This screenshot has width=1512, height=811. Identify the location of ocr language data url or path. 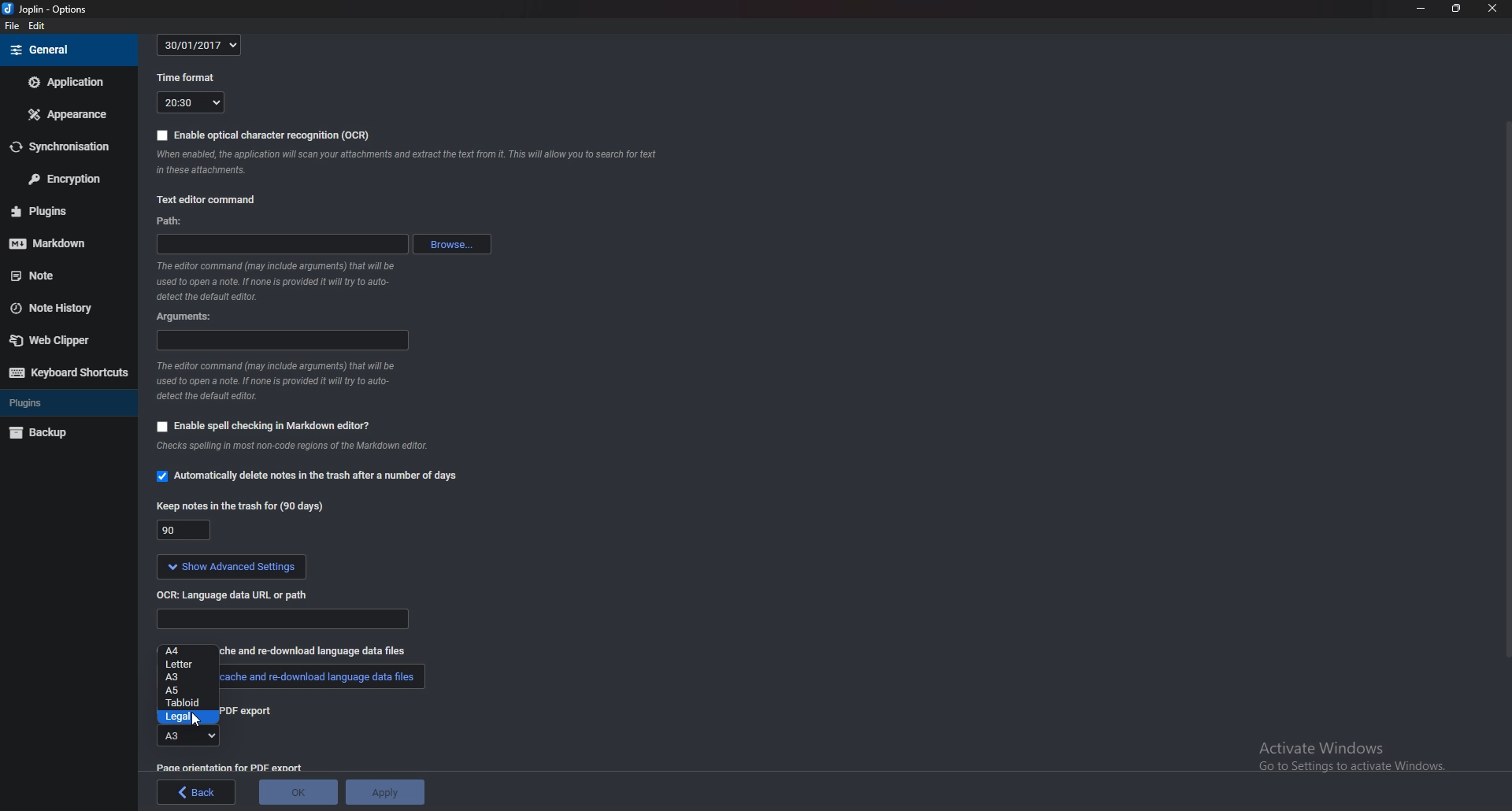
(232, 594).